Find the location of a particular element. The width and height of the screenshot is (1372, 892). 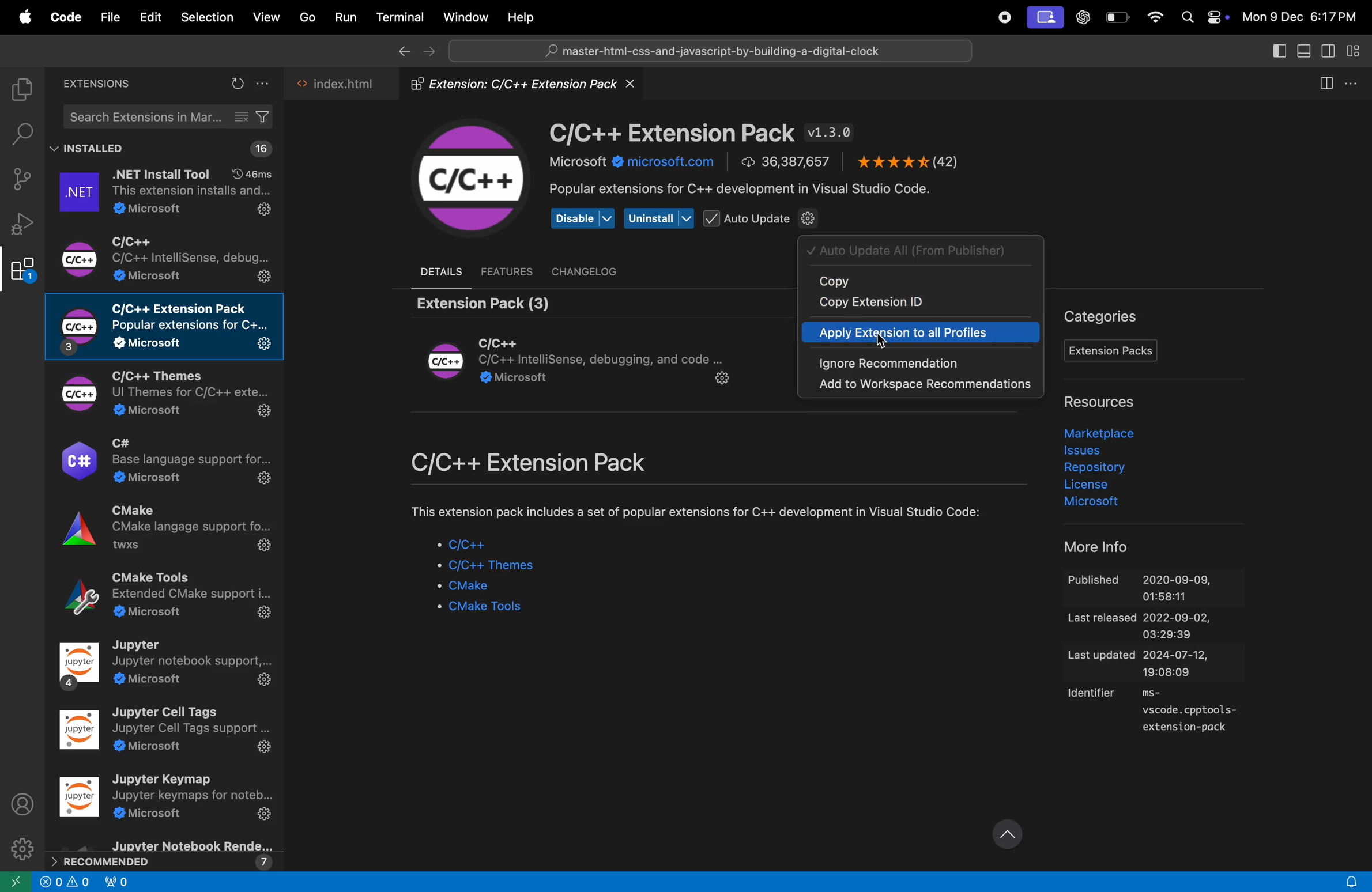

Cmake is located at coordinates (485, 588).